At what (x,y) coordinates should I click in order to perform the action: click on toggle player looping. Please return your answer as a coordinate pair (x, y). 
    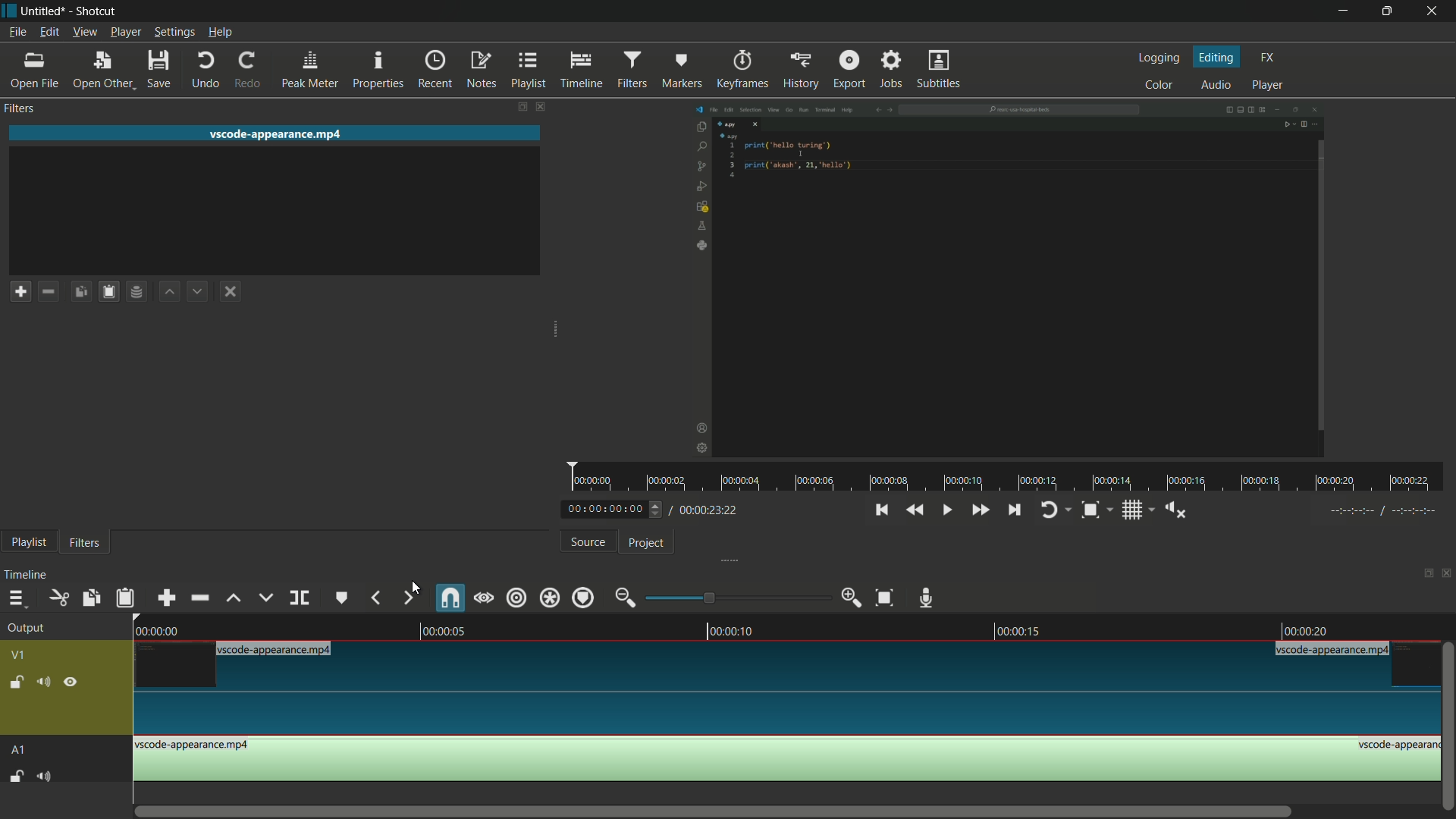
    Looking at the image, I should click on (1052, 510).